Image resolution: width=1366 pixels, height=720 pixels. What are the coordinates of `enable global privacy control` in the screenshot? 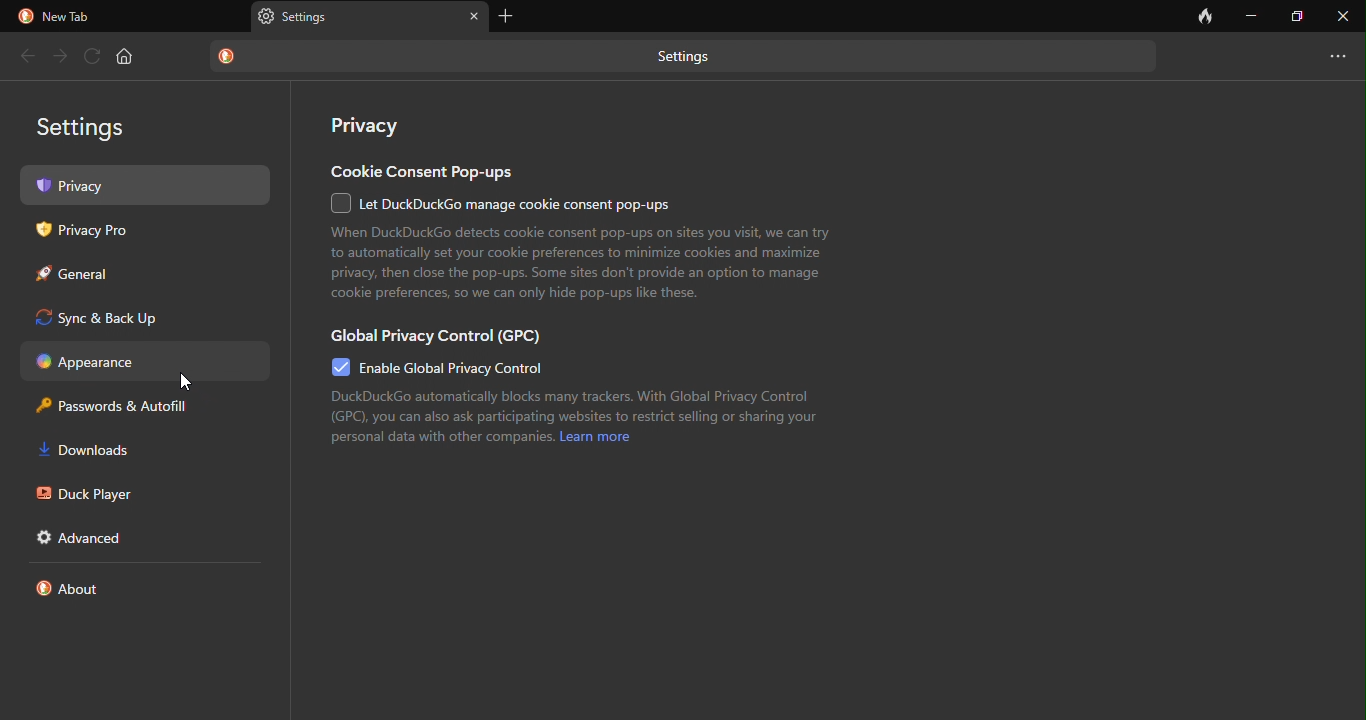 It's located at (447, 368).